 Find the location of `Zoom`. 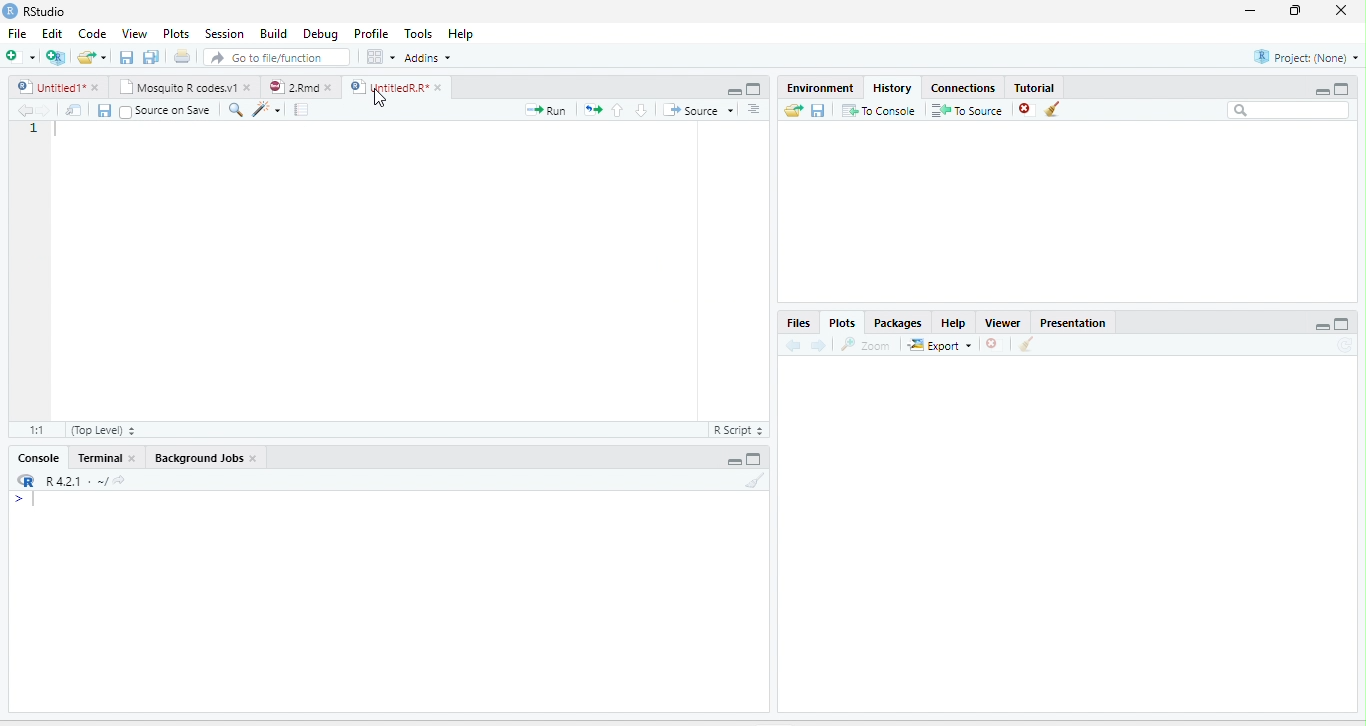

Zoom is located at coordinates (867, 344).